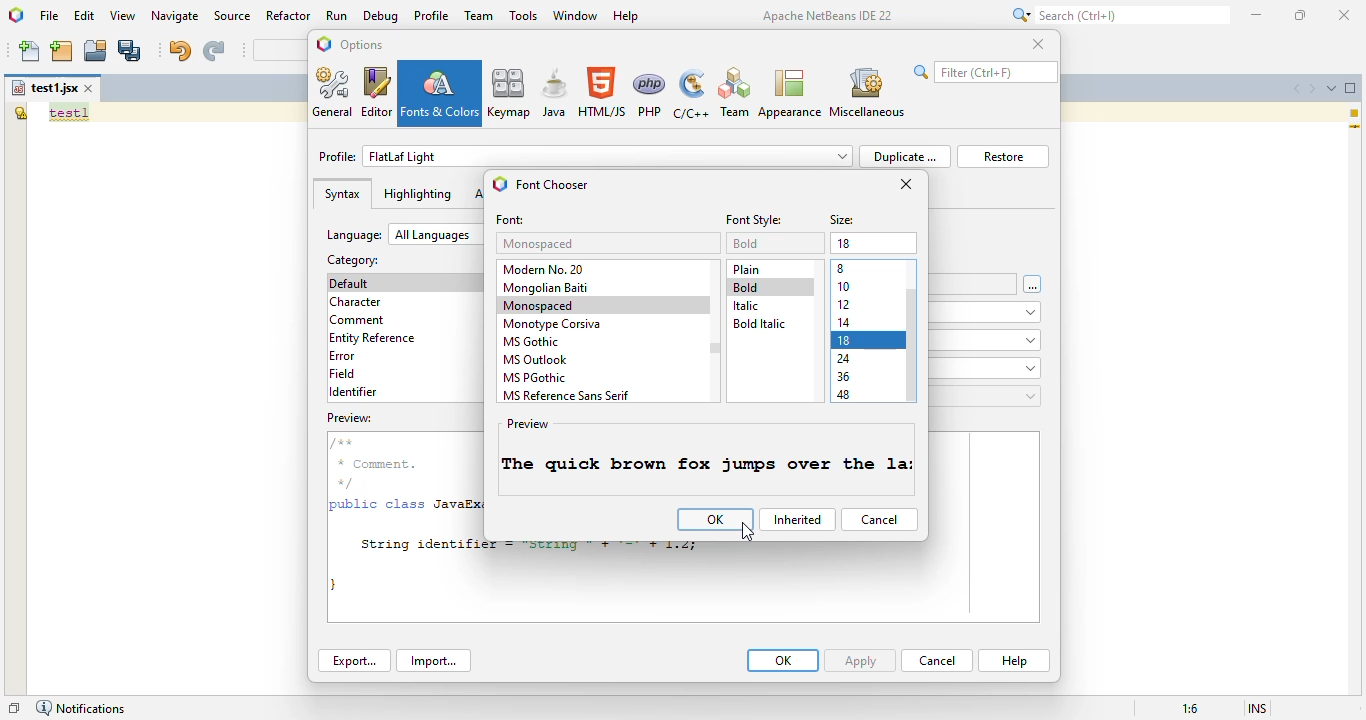 The height and width of the screenshot is (720, 1366). What do you see at coordinates (692, 94) in the screenshot?
I see `C/C++` at bounding box center [692, 94].